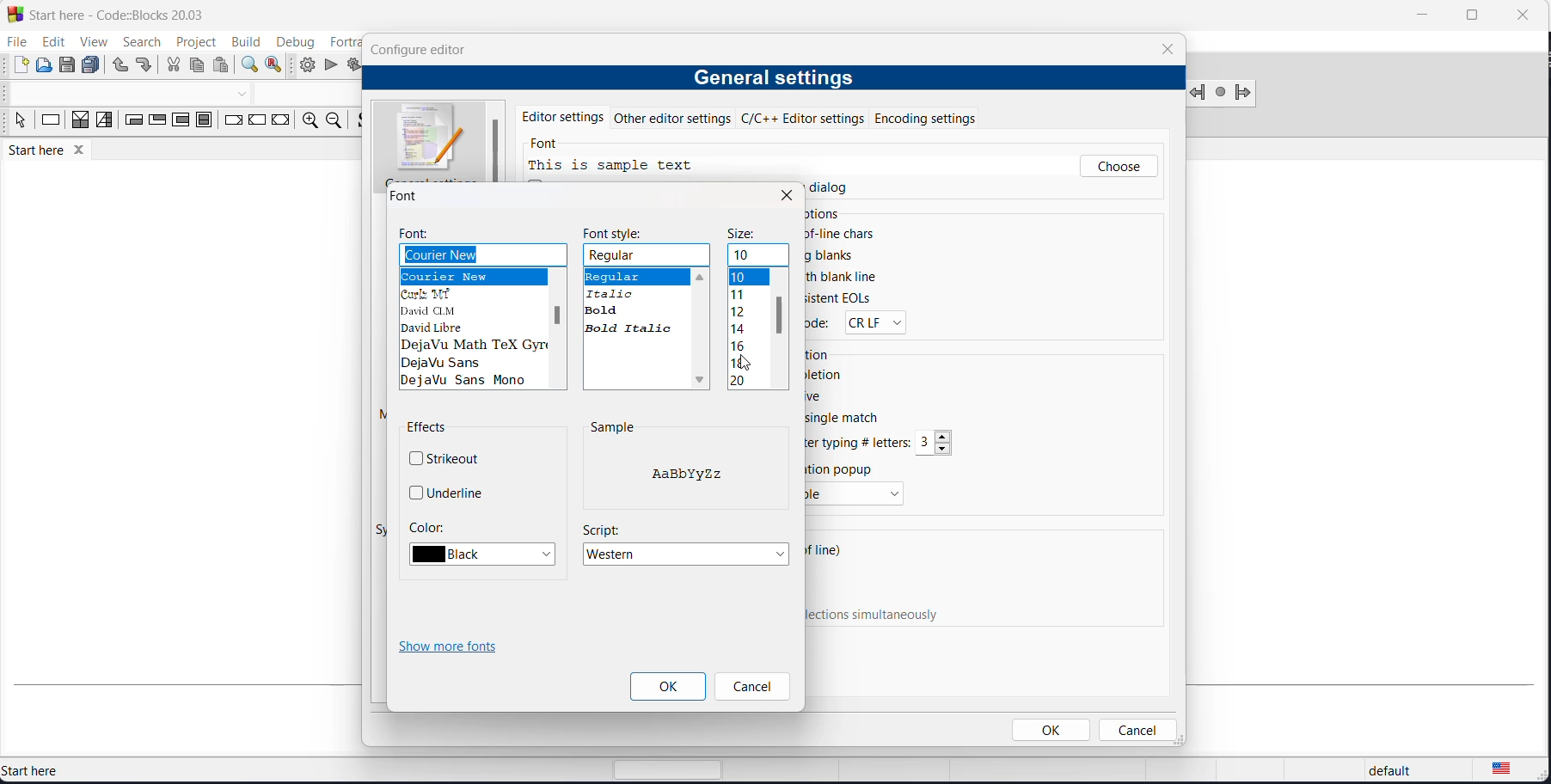 Image resolution: width=1551 pixels, height=784 pixels. I want to click on courier new, so click(483, 254).